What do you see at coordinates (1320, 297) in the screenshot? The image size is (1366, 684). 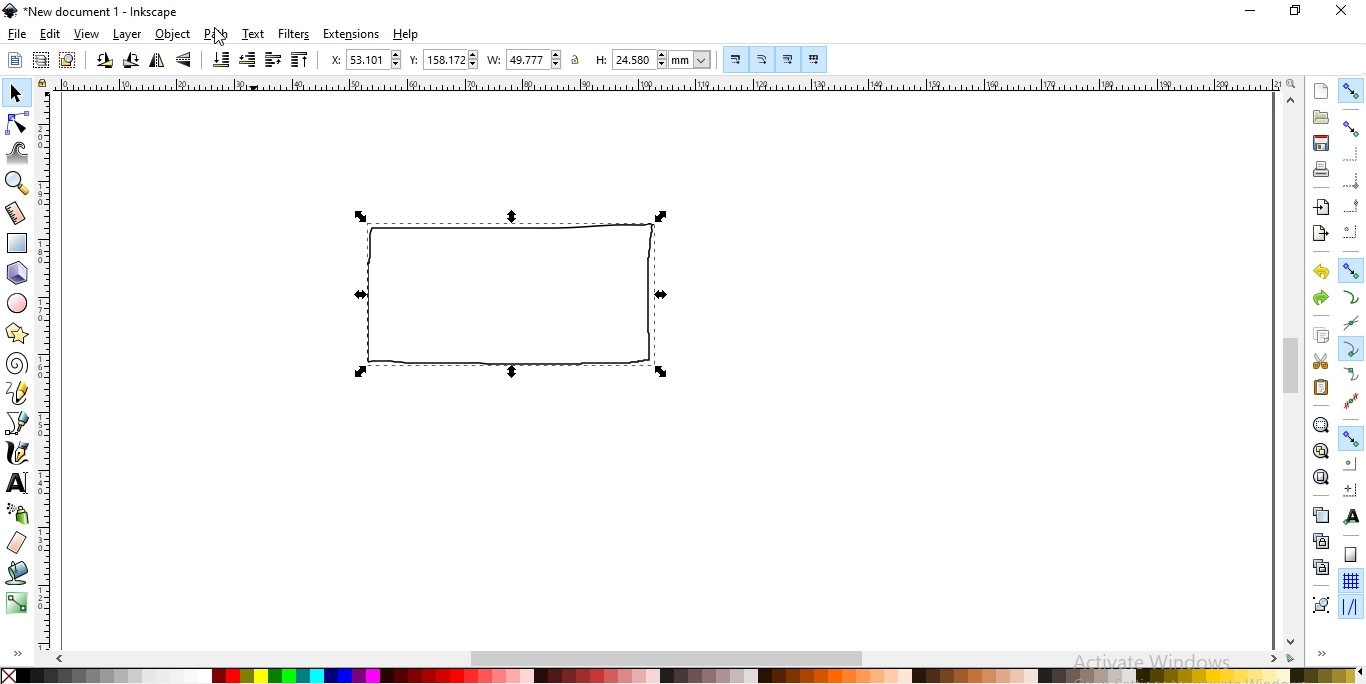 I see `redo` at bounding box center [1320, 297].